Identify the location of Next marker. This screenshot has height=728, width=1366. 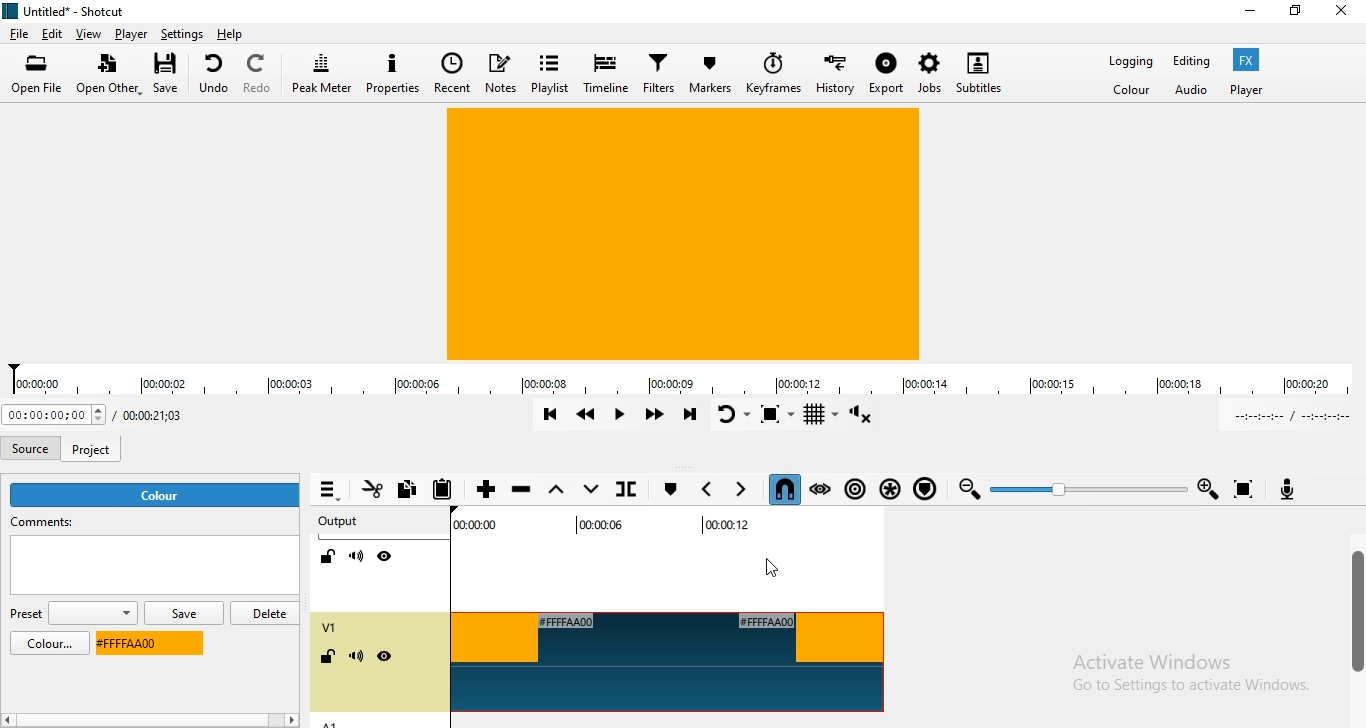
(742, 488).